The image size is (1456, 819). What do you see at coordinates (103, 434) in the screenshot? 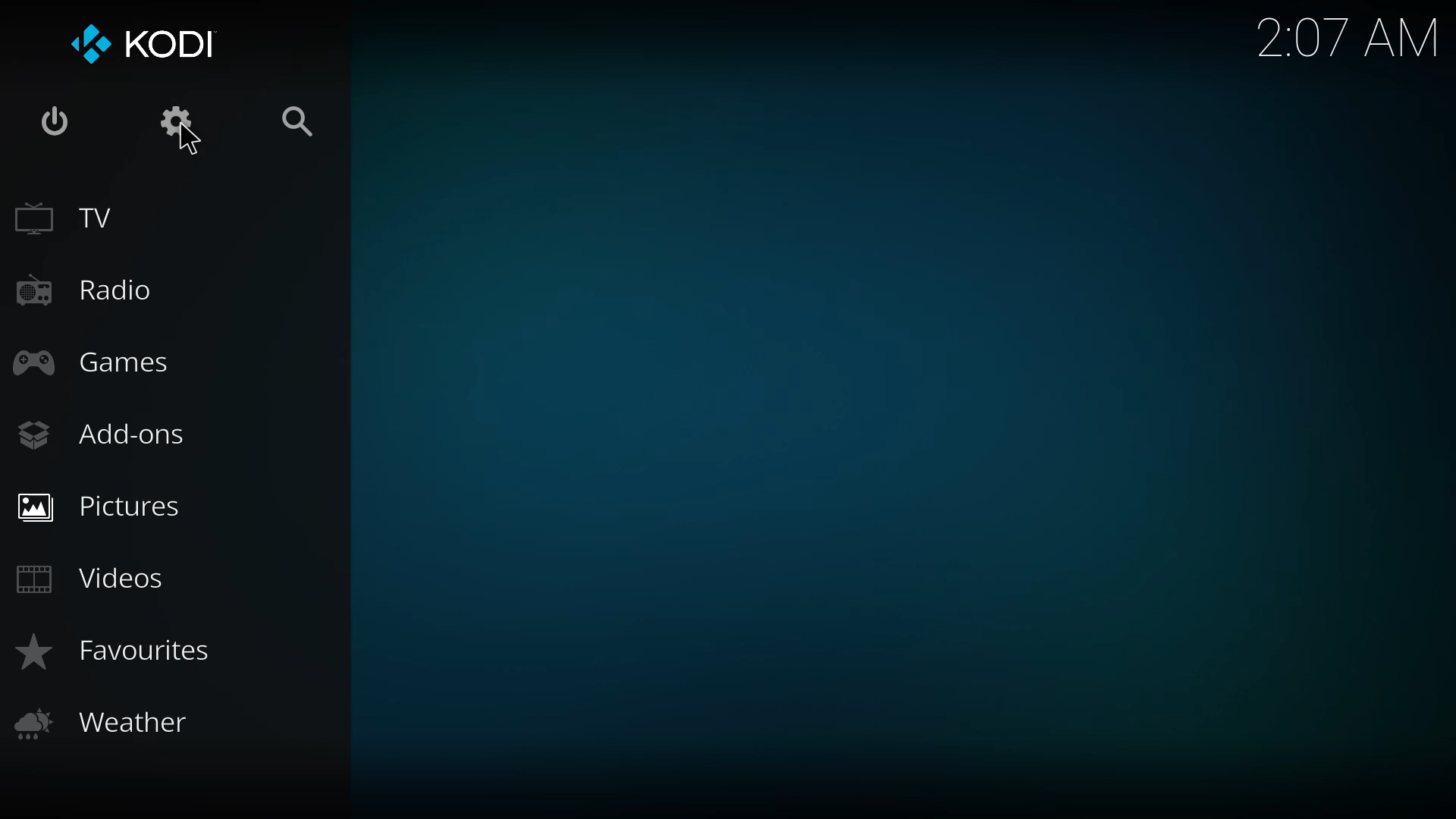
I see `add-ons` at bounding box center [103, 434].